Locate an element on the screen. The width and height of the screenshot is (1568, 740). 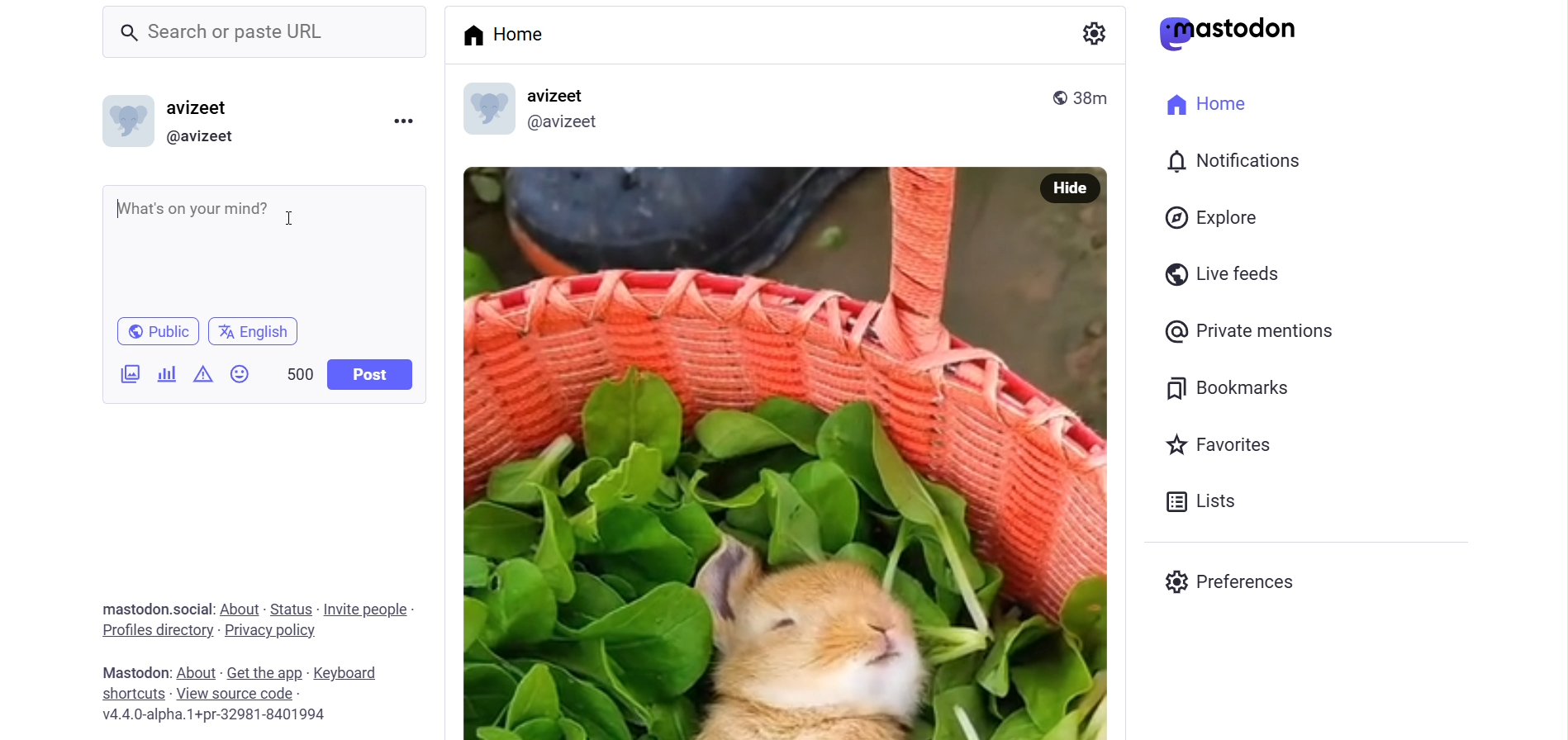
public post is located at coordinates (1059, 98).